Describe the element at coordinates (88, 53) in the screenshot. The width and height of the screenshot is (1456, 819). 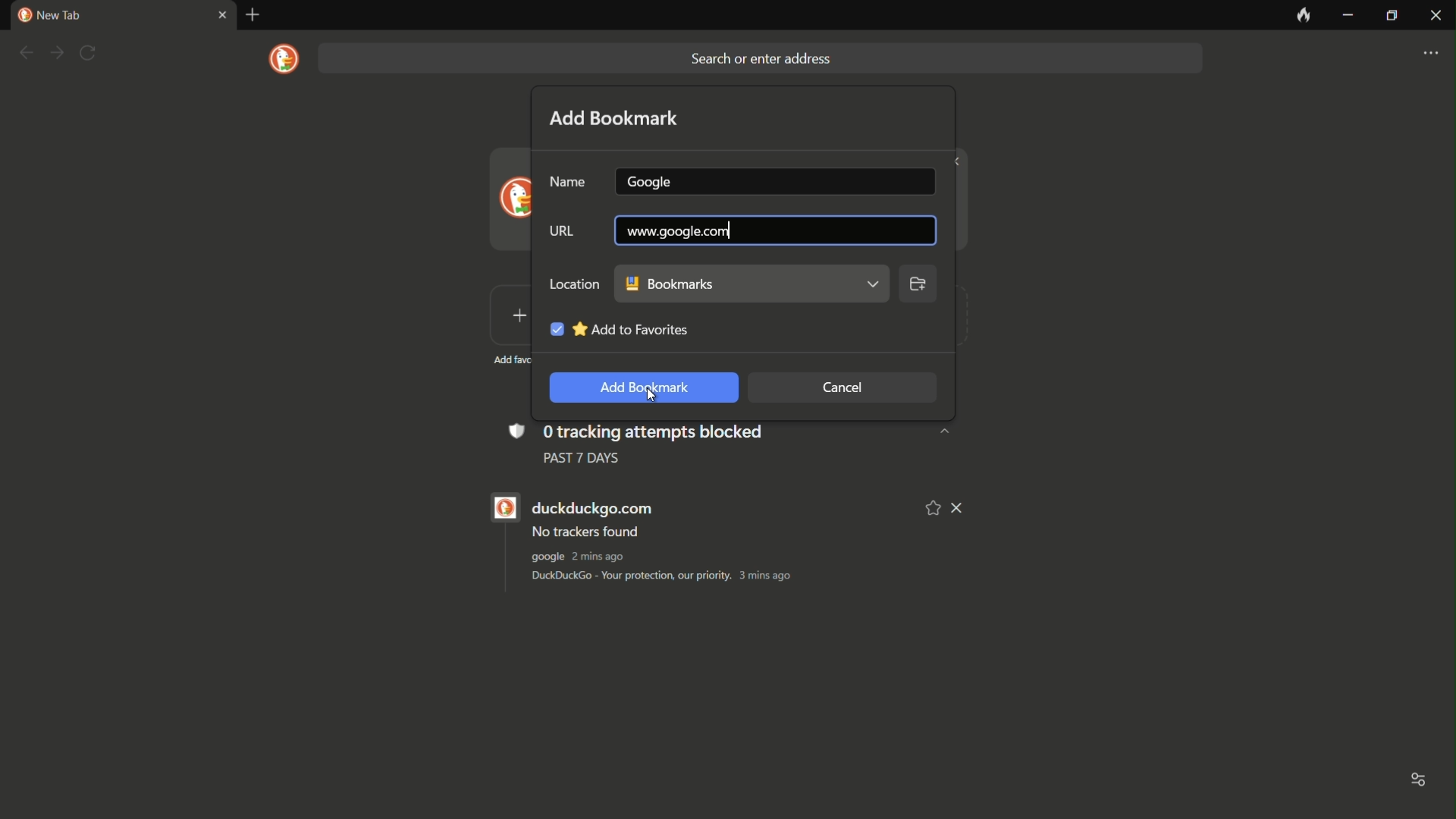
I see `refresh` at that location.